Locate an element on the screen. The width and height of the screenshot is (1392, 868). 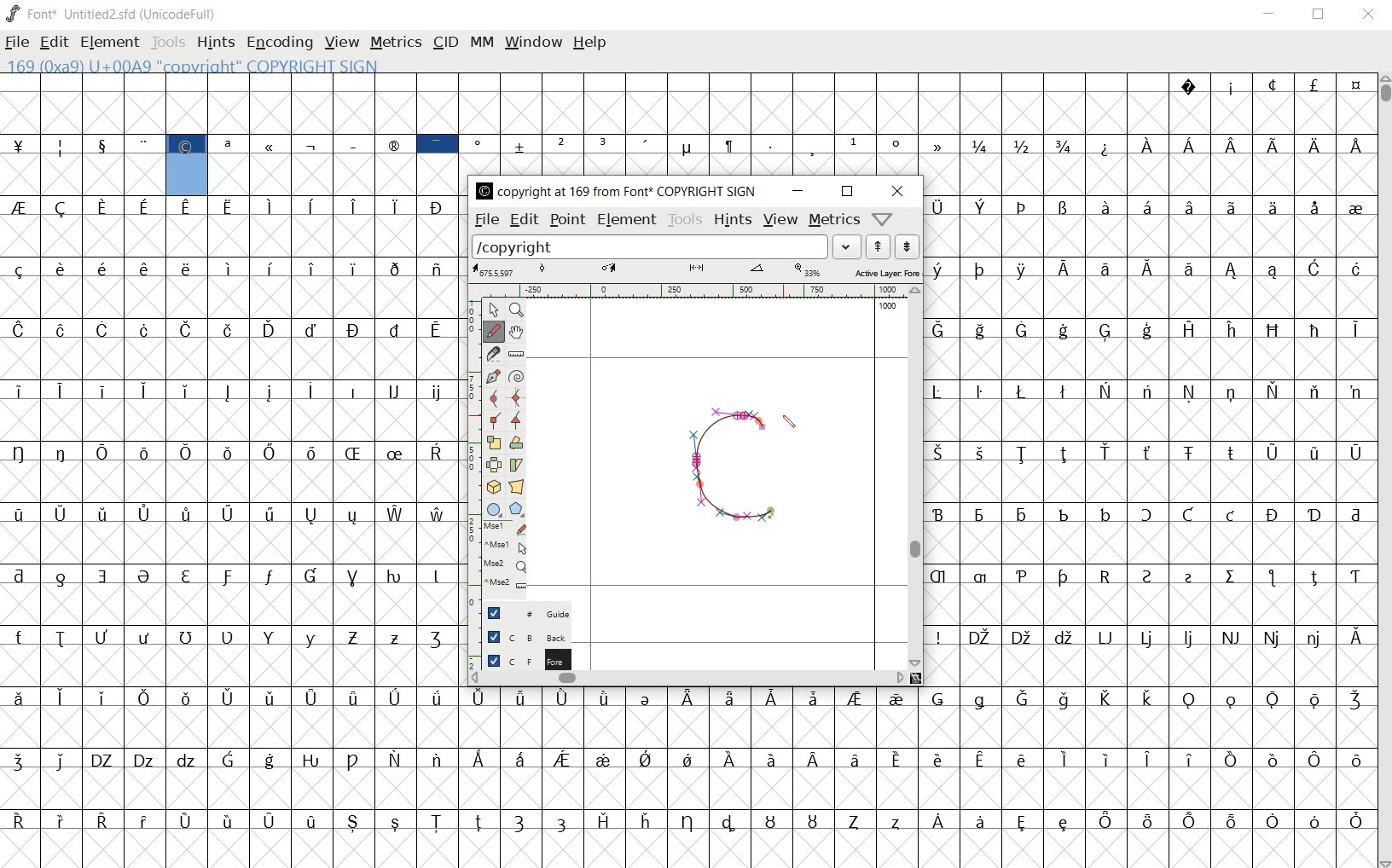
mm is located at coordinates (480, 40).